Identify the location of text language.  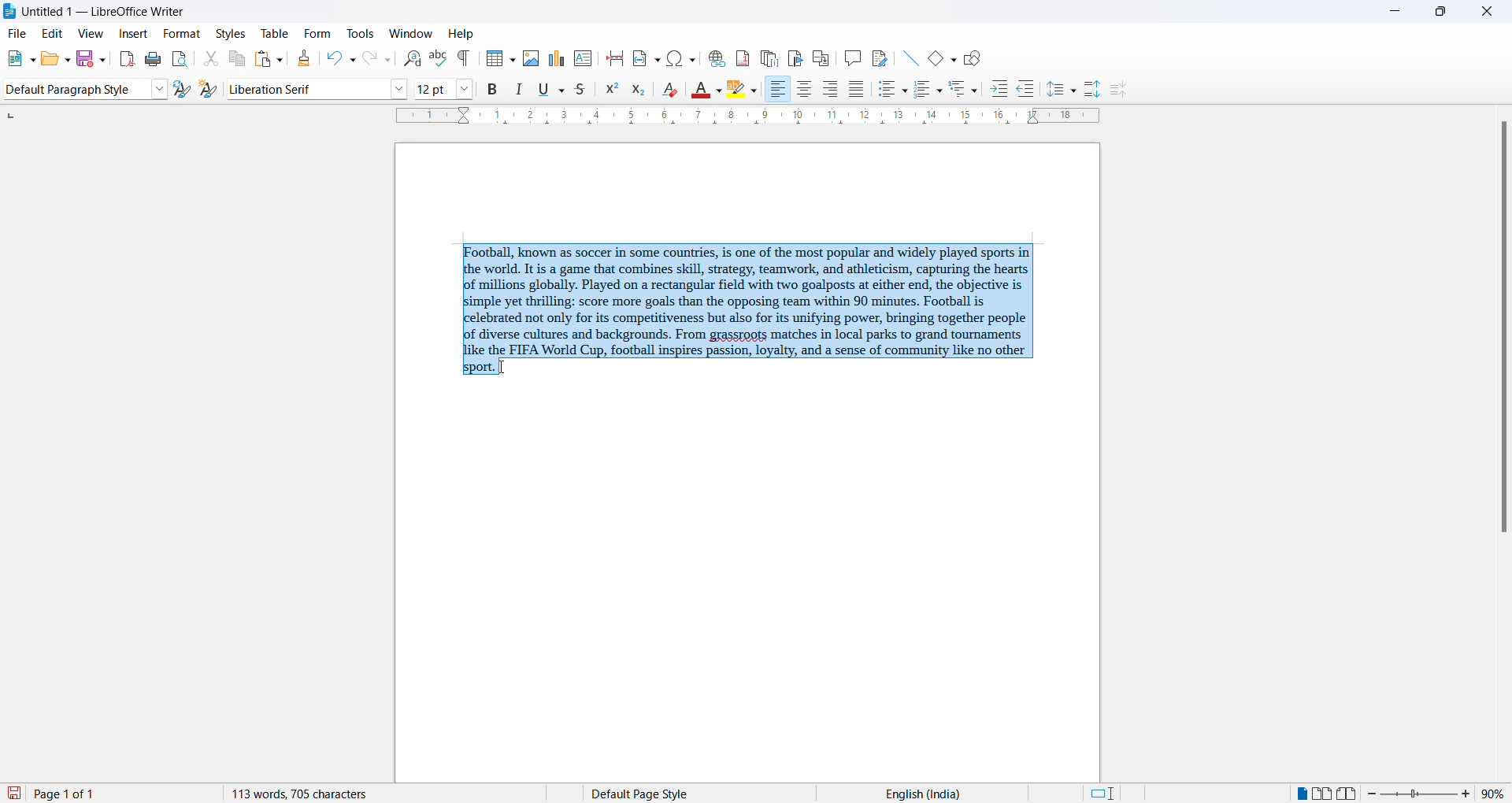
(972, 793).